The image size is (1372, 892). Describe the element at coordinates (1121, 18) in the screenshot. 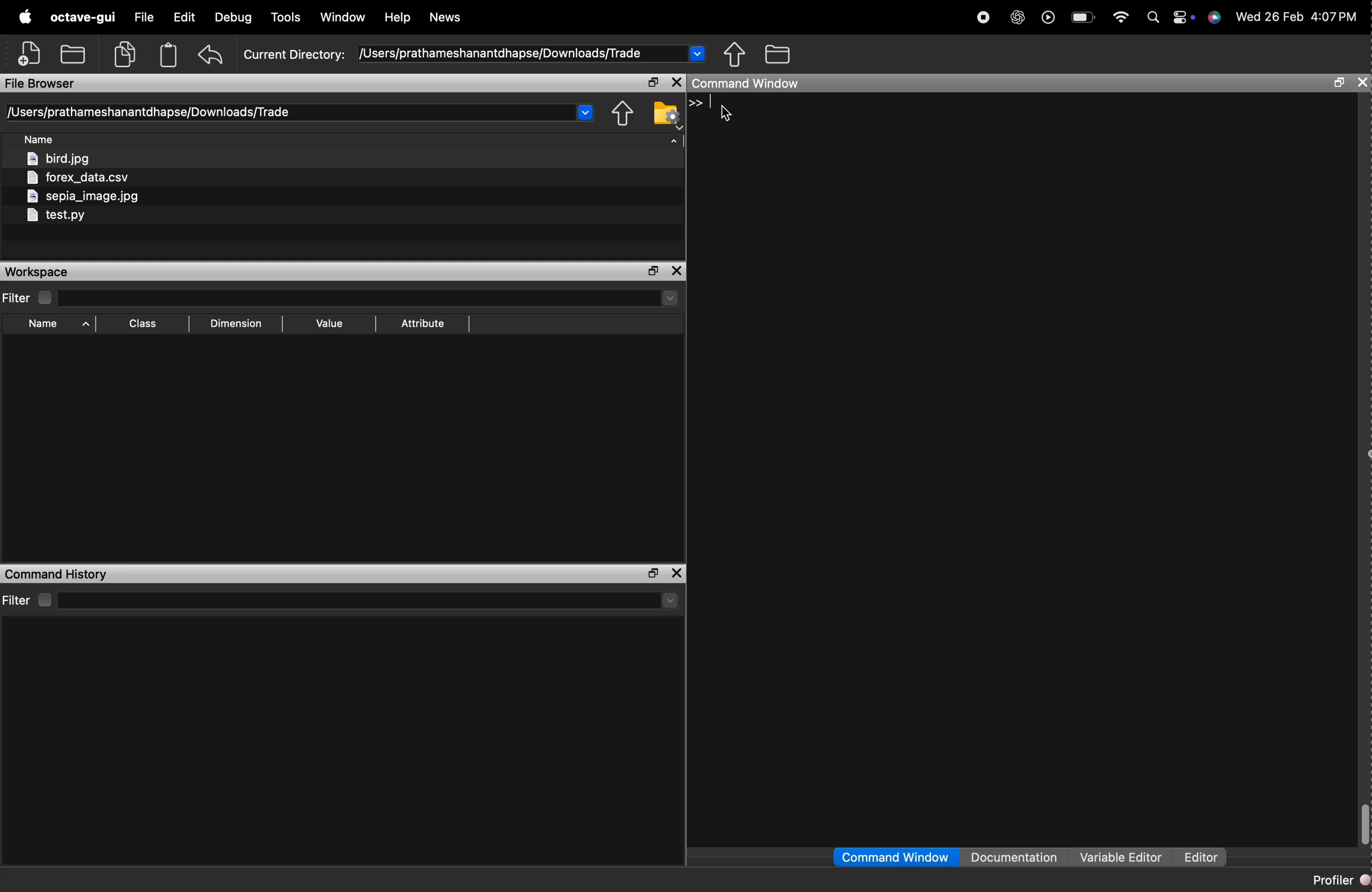

I see `wifi` at that location.